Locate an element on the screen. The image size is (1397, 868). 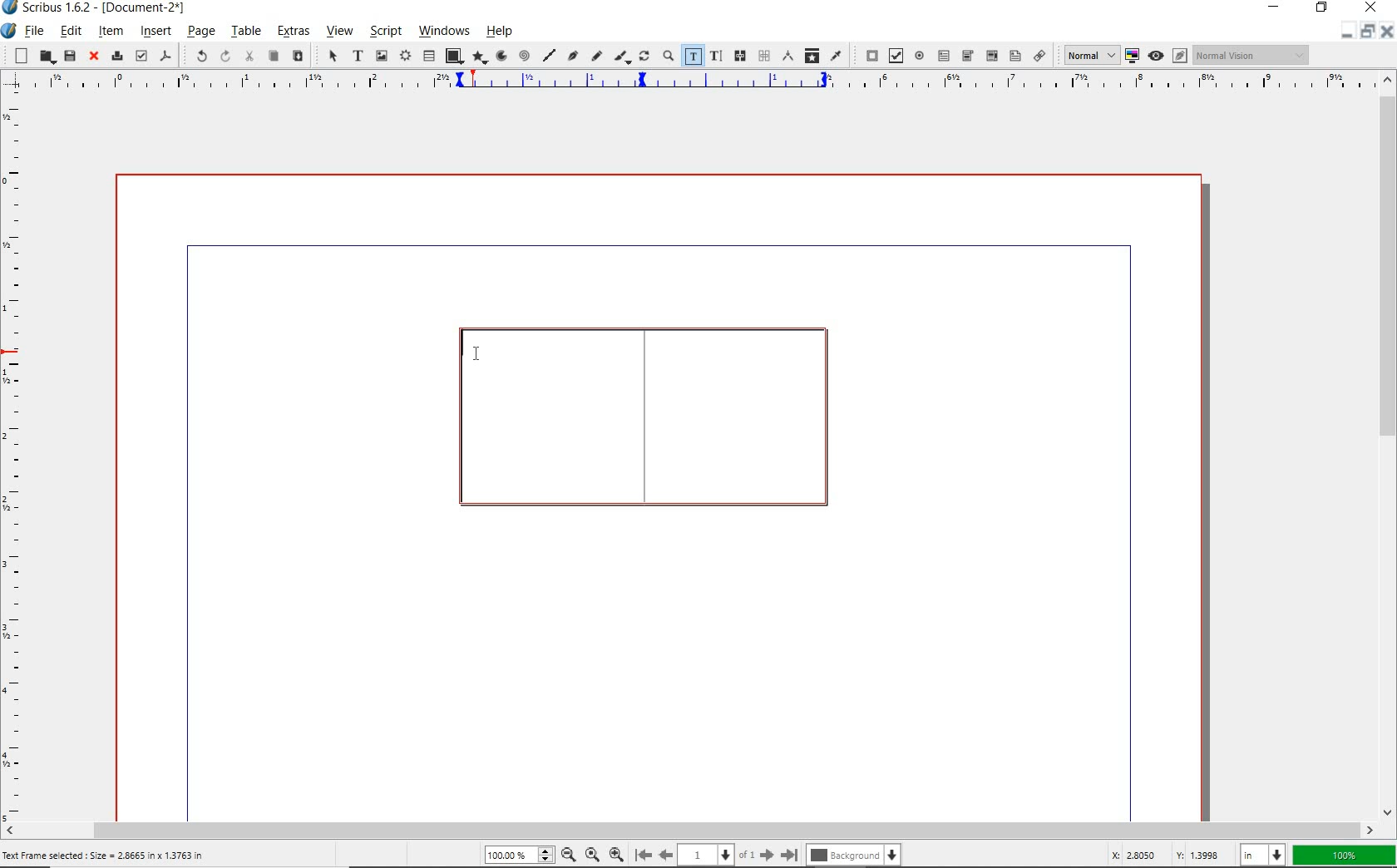
CURSOR is located at coordinates (474, 356).